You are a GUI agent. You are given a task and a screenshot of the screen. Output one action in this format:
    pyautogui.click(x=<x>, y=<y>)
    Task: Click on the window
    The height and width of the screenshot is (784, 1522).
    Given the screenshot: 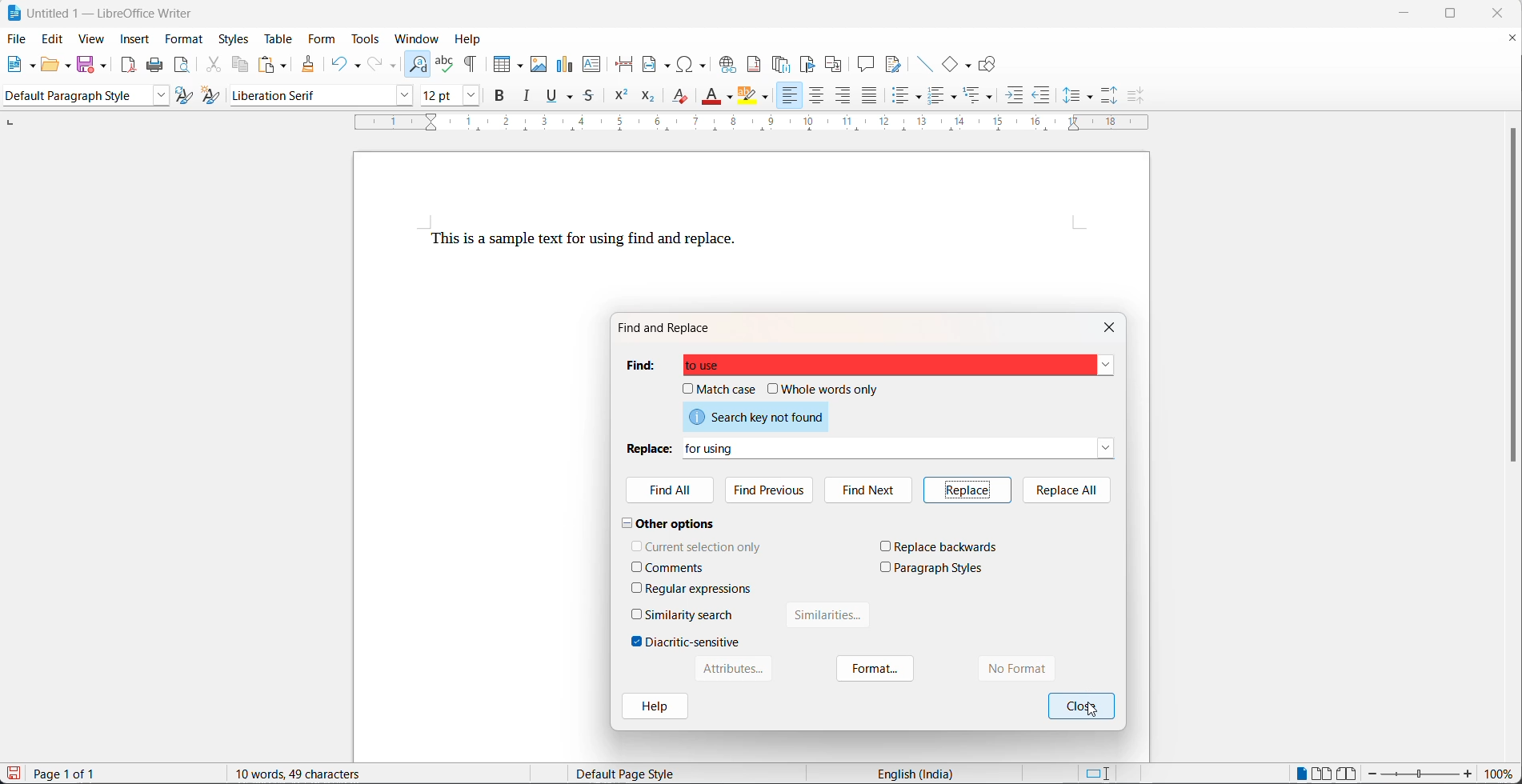 What is the action you would take?
    pyautogui.click(x=419, y=38)
    